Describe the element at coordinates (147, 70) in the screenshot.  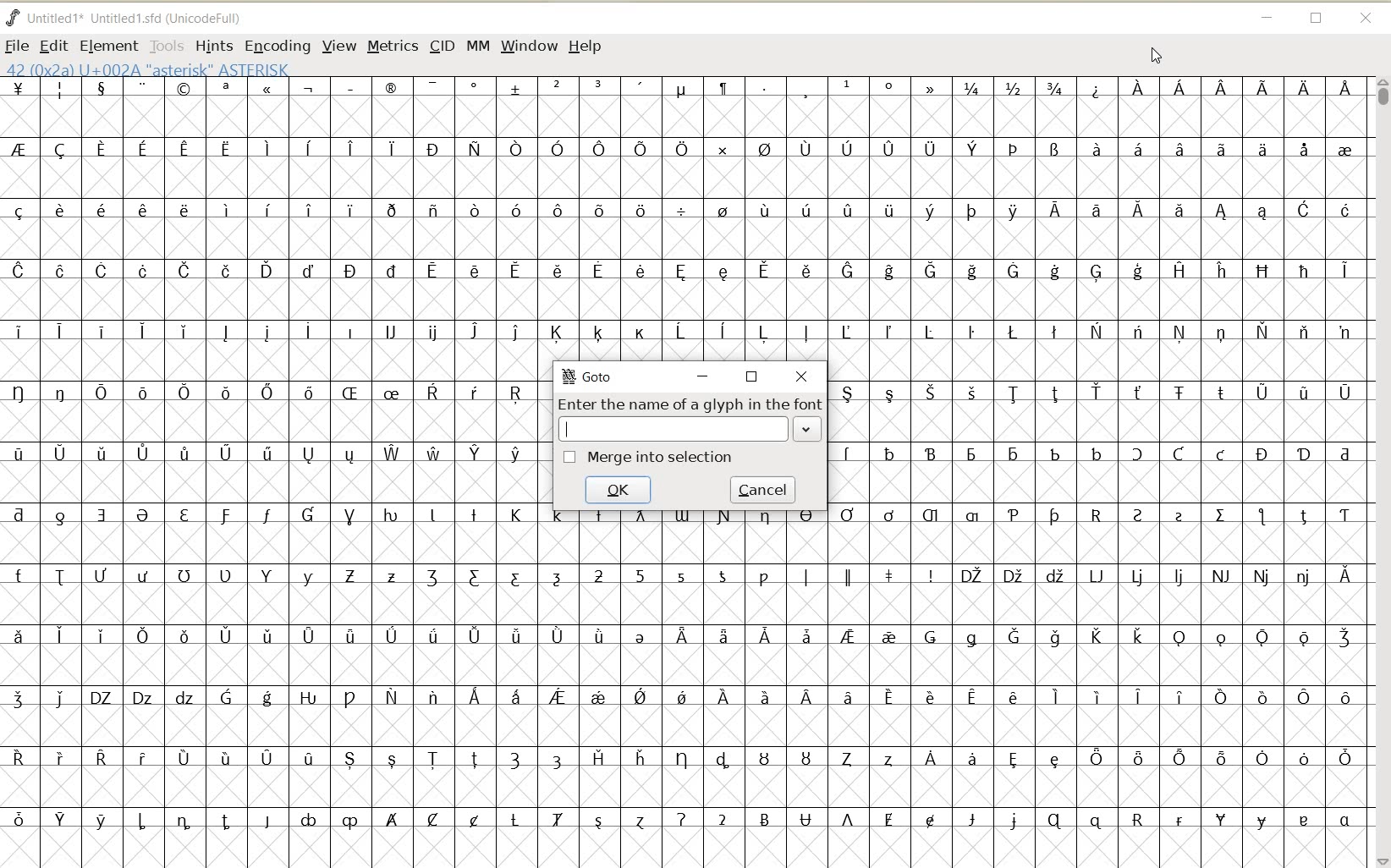
I see `42 (0x2A) U+002A "Asterisk" ASTERISK` at that location.